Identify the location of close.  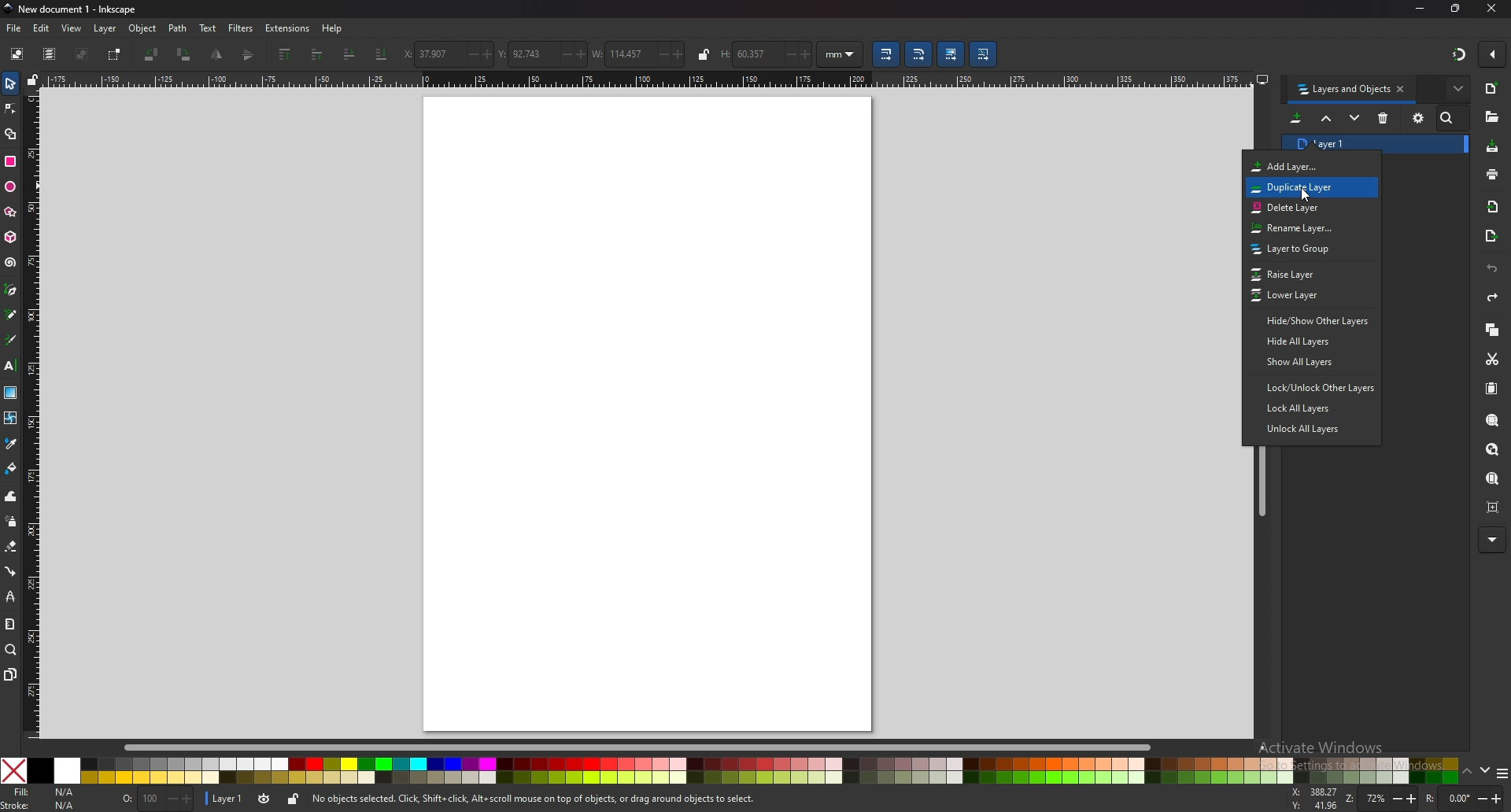
(1492, 9).